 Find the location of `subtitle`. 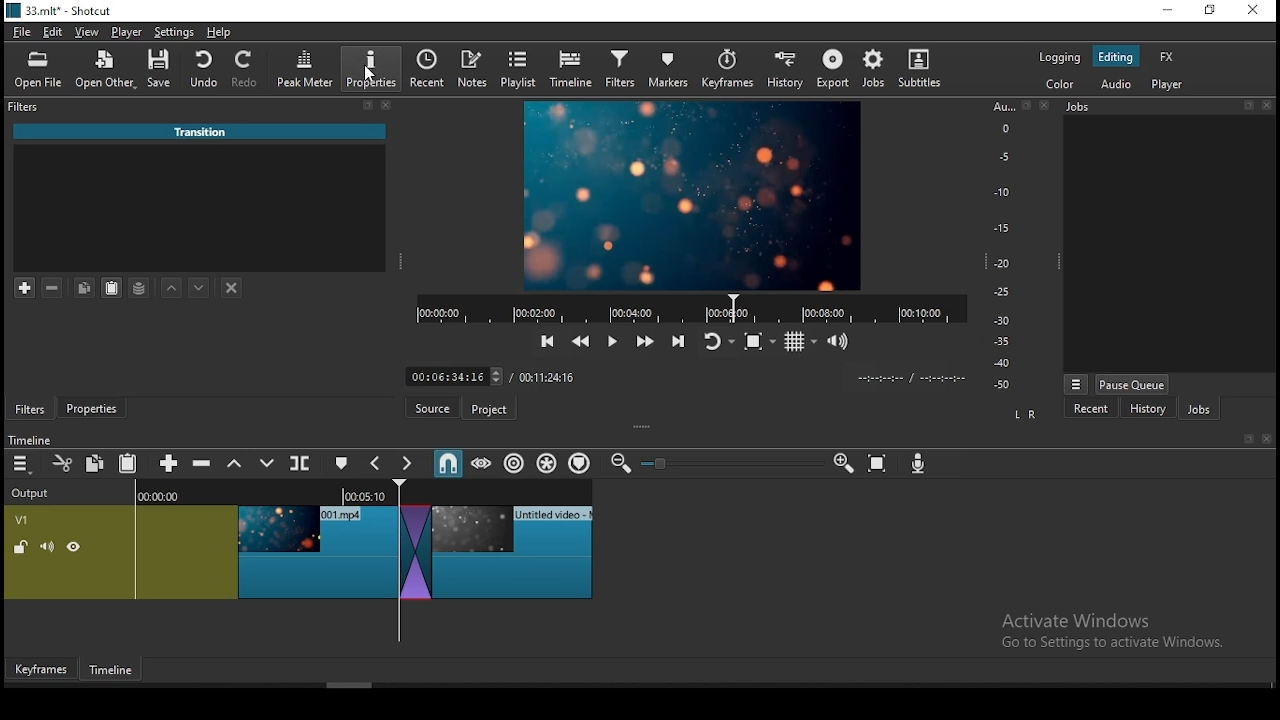

subtitle is located at coordinates (917, 68).